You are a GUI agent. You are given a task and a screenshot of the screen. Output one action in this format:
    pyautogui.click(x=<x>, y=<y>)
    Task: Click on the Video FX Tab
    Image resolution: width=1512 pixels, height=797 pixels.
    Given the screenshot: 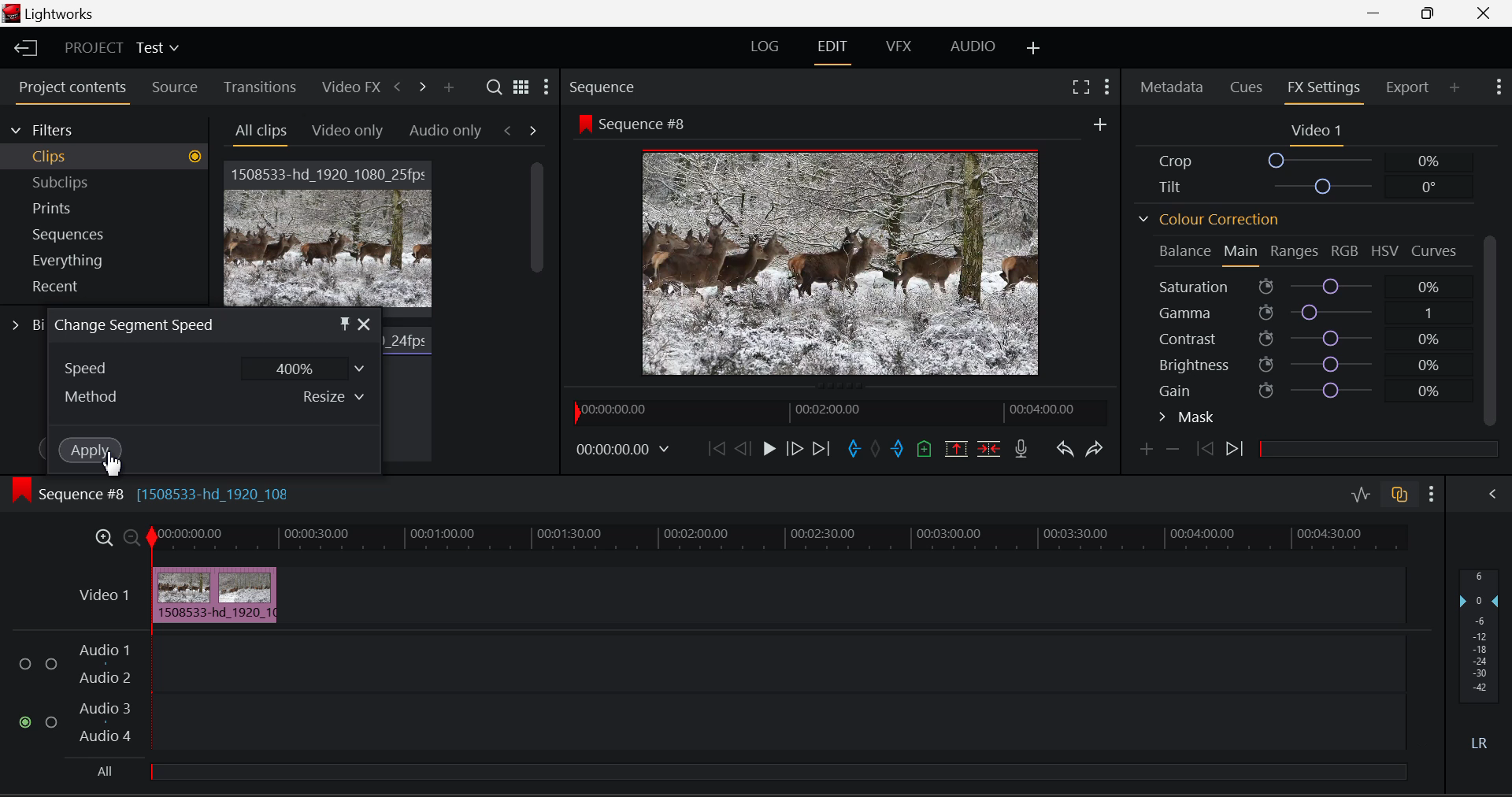 What is the action you would take?
    pyautogui.click(x=351, y=88)
    